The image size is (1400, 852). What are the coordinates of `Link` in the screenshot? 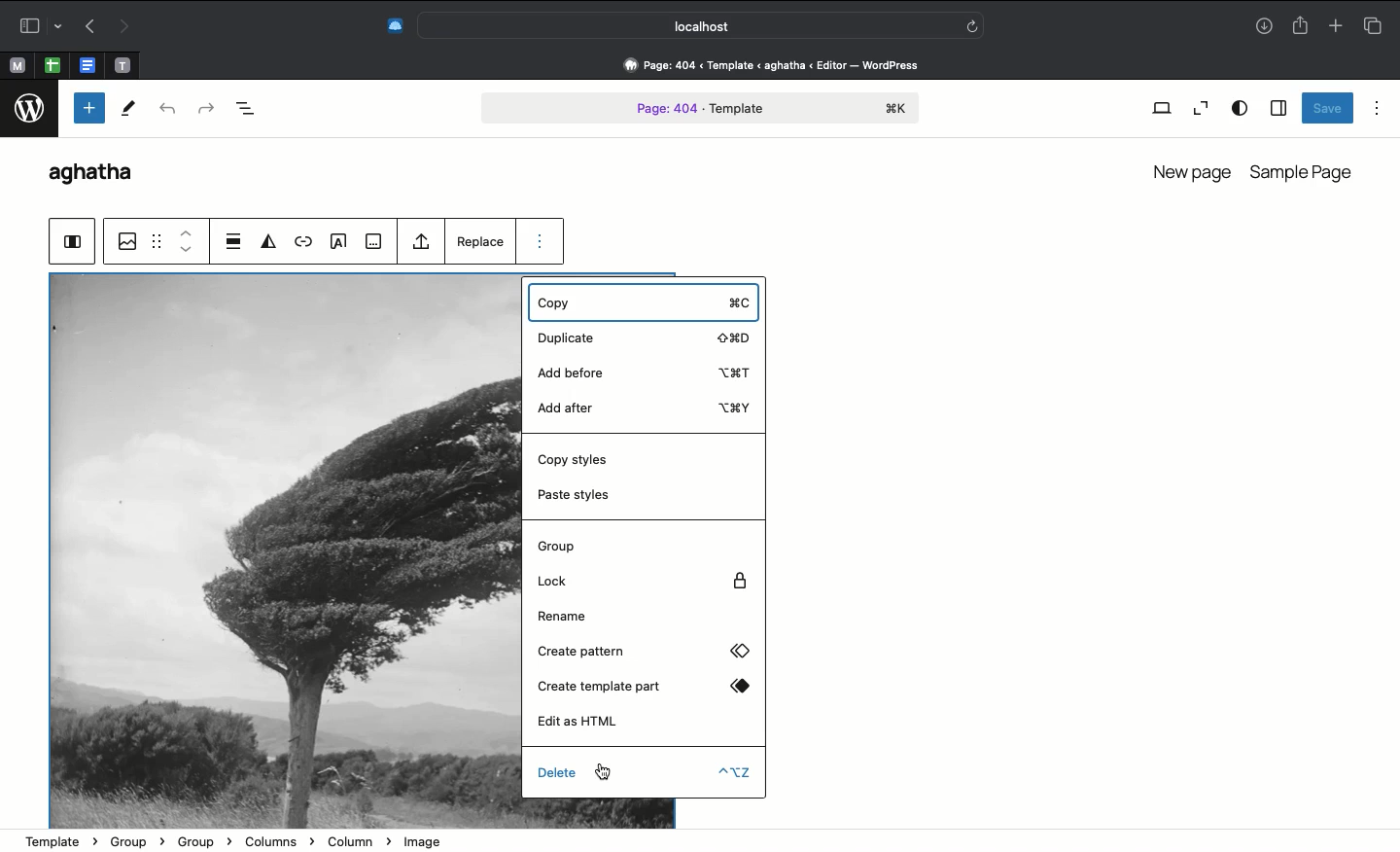 It's located at (301, 244).